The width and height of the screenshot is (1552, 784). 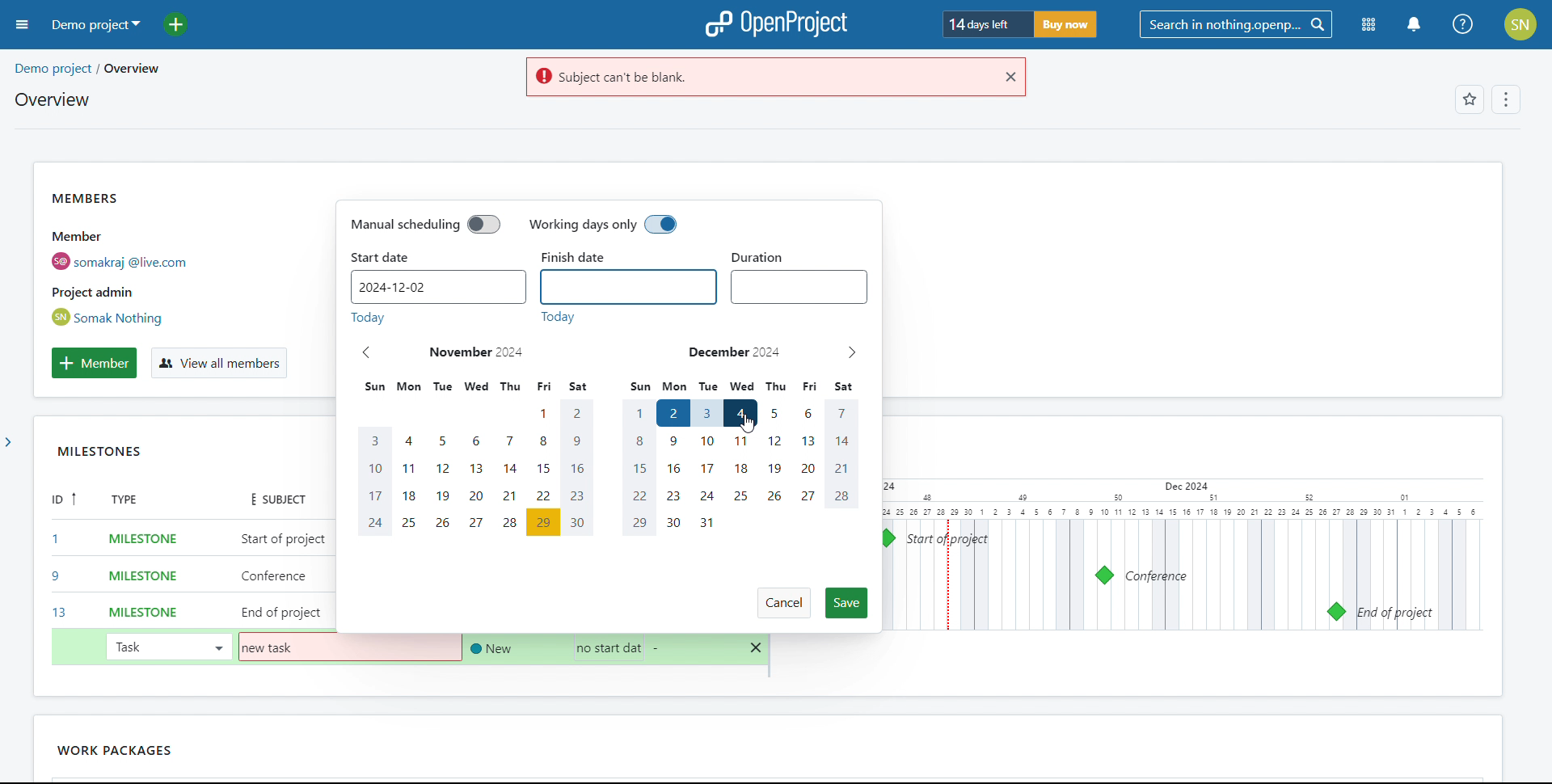 What do you see at coordinates (1503, 101) in the screenshot?
I see `options` at bounding box center [1503, 101].